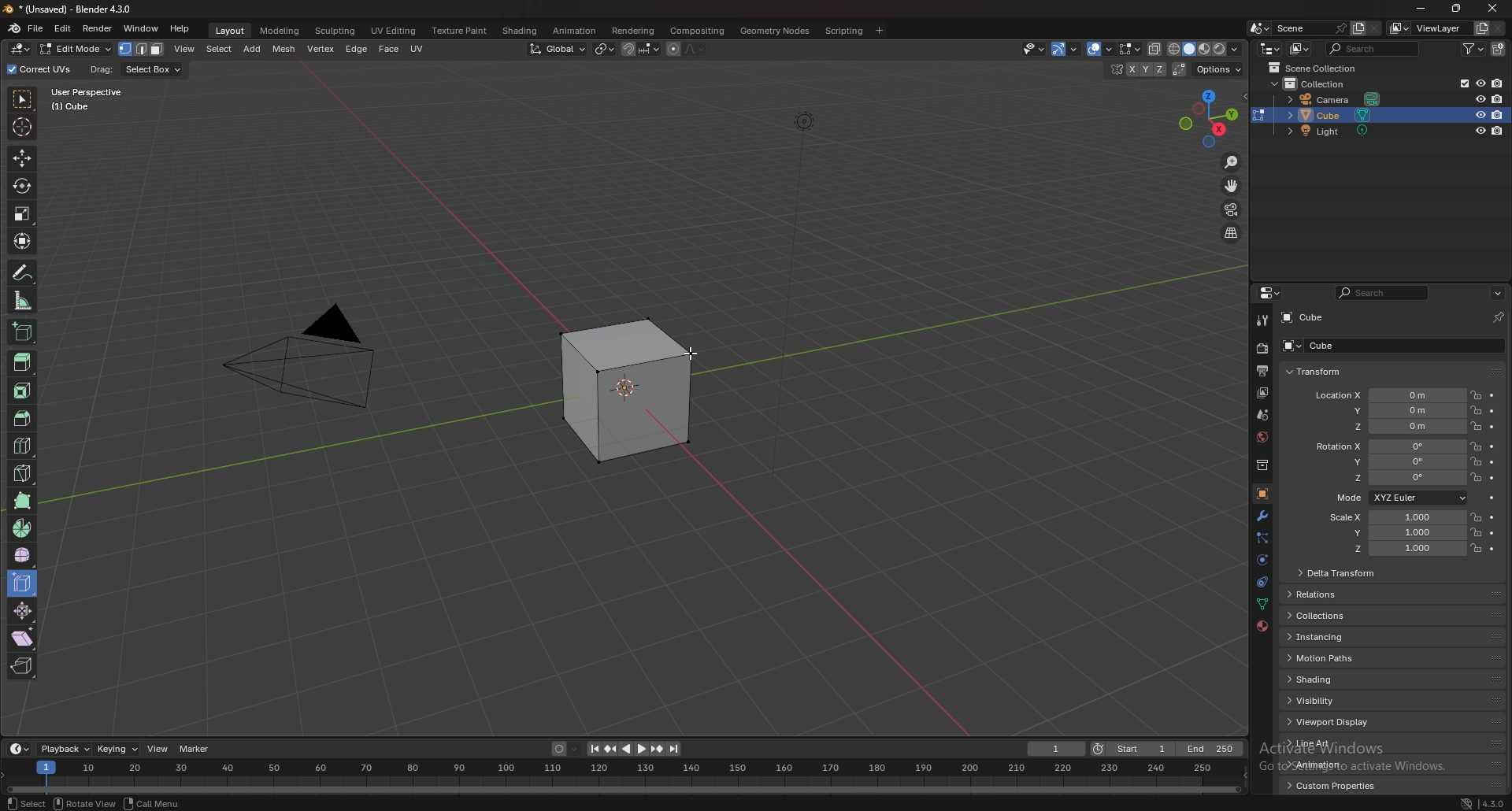 The image size is (1512, 811). Describe the element at coordinates (1375, 29) in the screenshot. I see `delete scene` at that location.